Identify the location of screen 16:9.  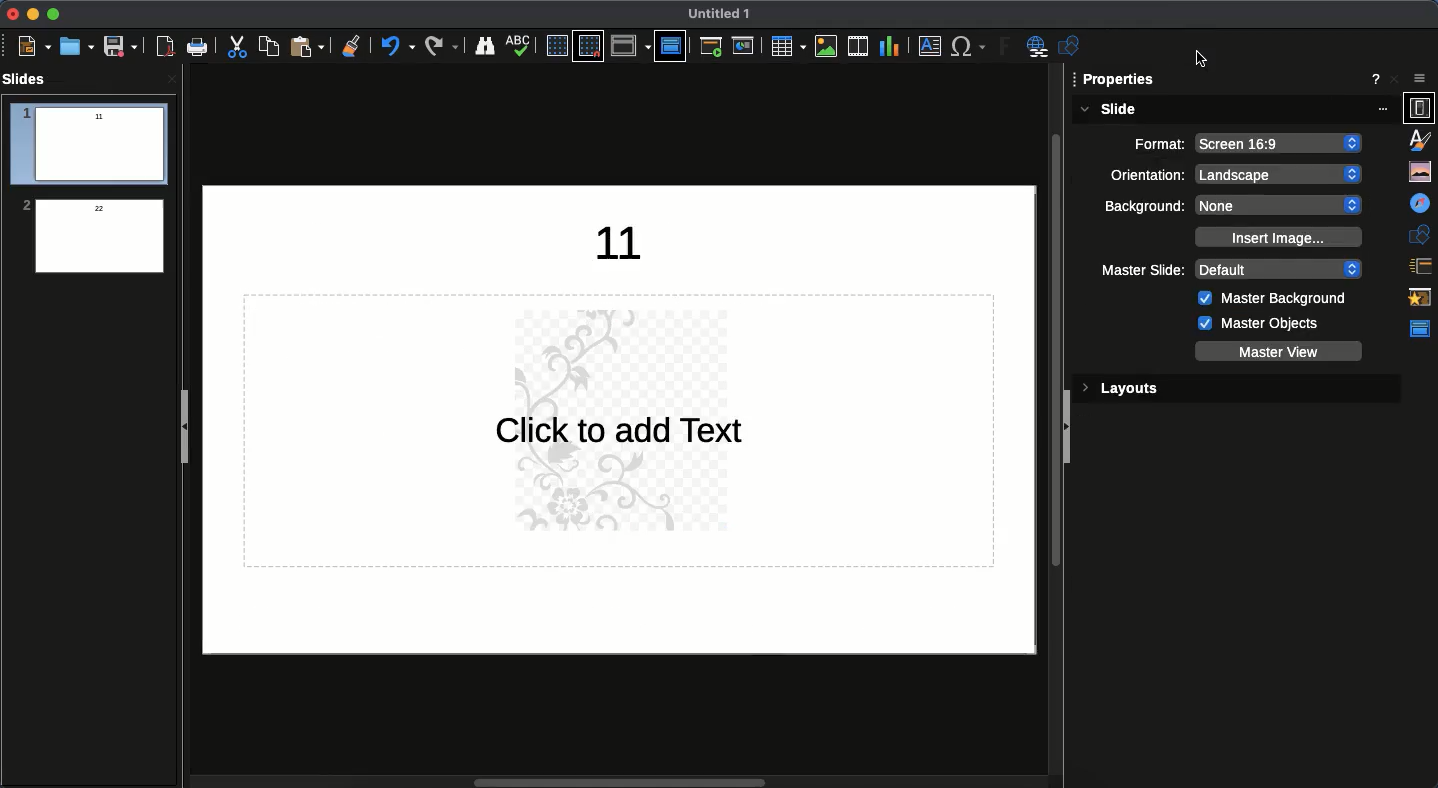
(1283, 143).